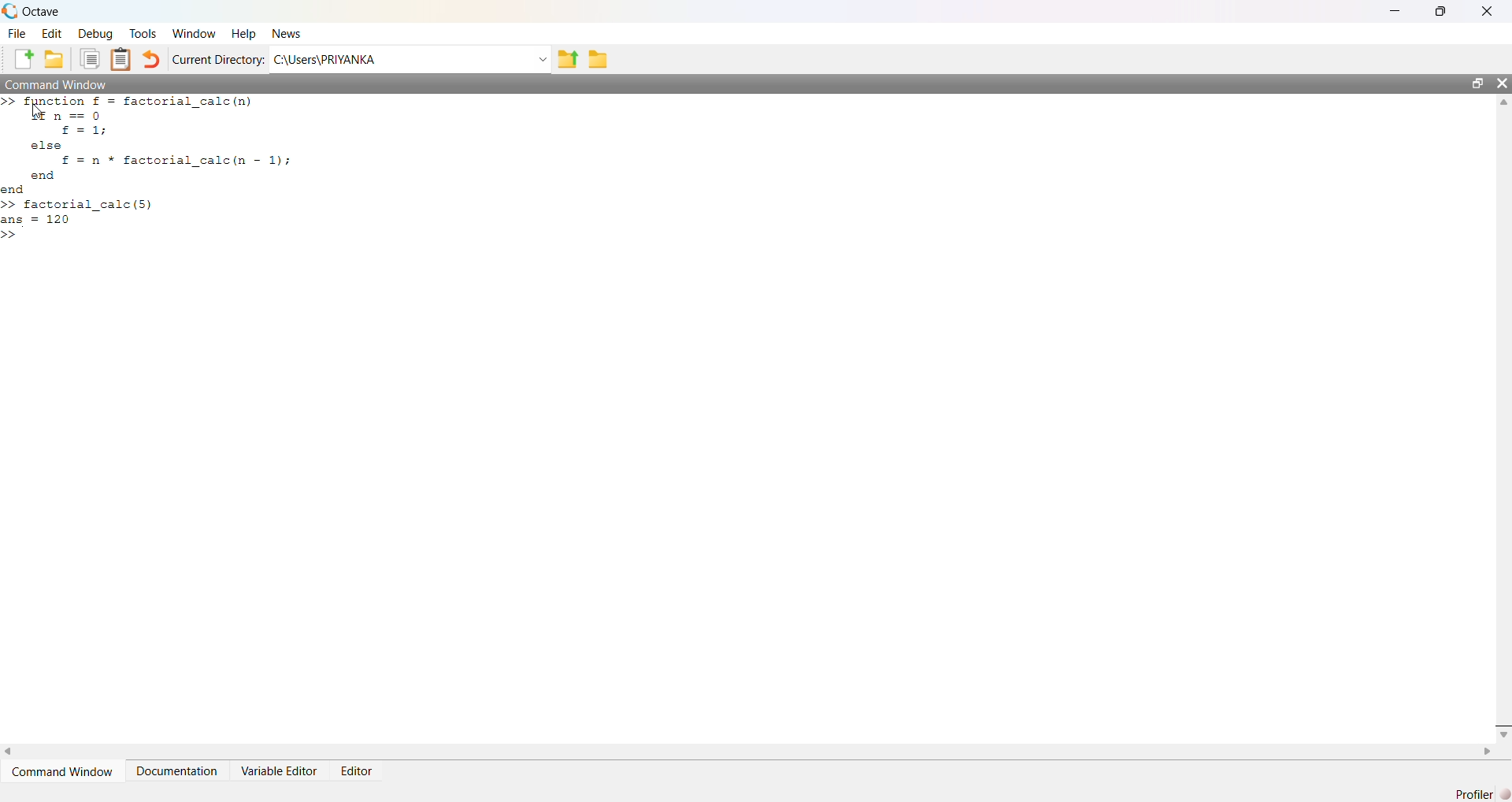 This screenshot has height=802, width=1512. Describe the element at coordinates (1502, 83) in the screenshot. I see `close` at that location.